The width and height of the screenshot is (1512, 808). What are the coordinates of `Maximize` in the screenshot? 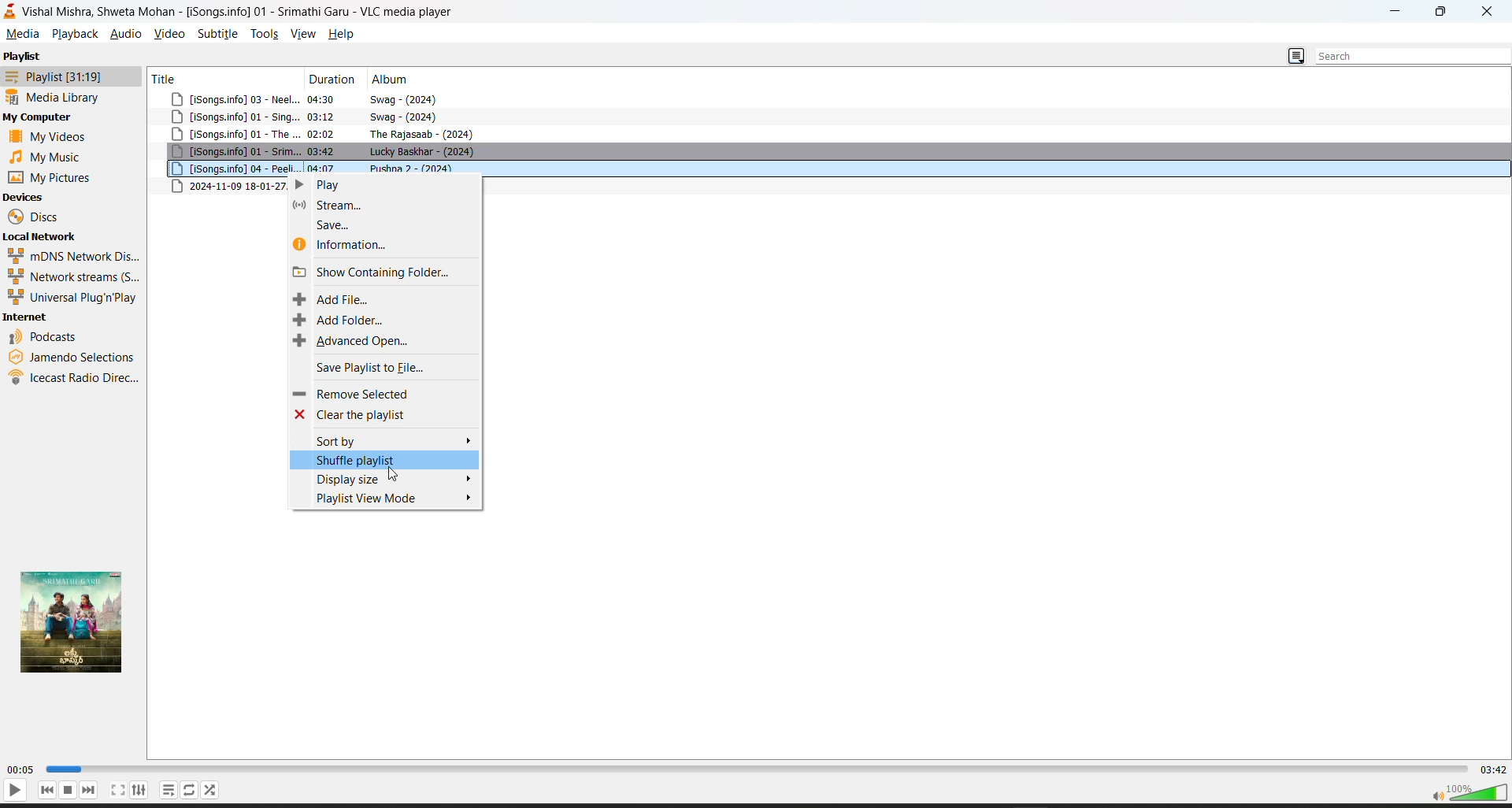 It's located at (1440, 12).